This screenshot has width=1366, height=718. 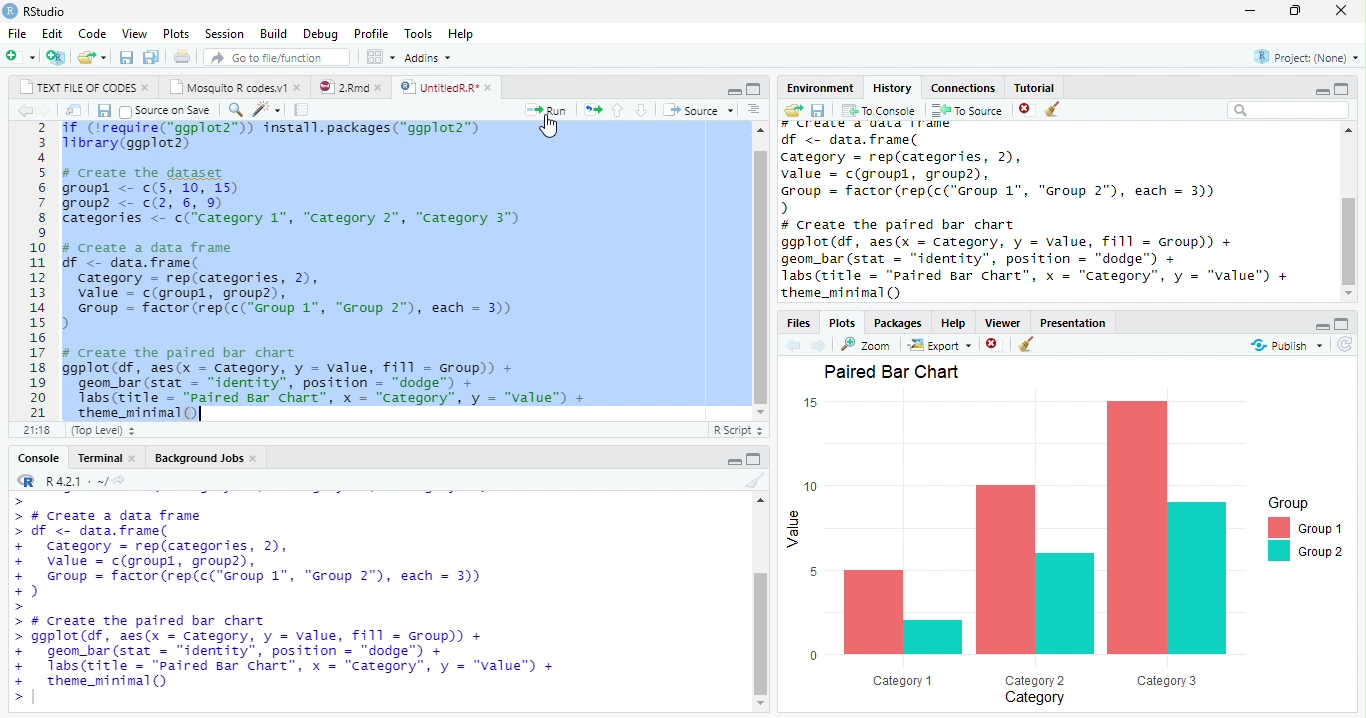 I want to click on viewer, so click(x=1003, y=322).